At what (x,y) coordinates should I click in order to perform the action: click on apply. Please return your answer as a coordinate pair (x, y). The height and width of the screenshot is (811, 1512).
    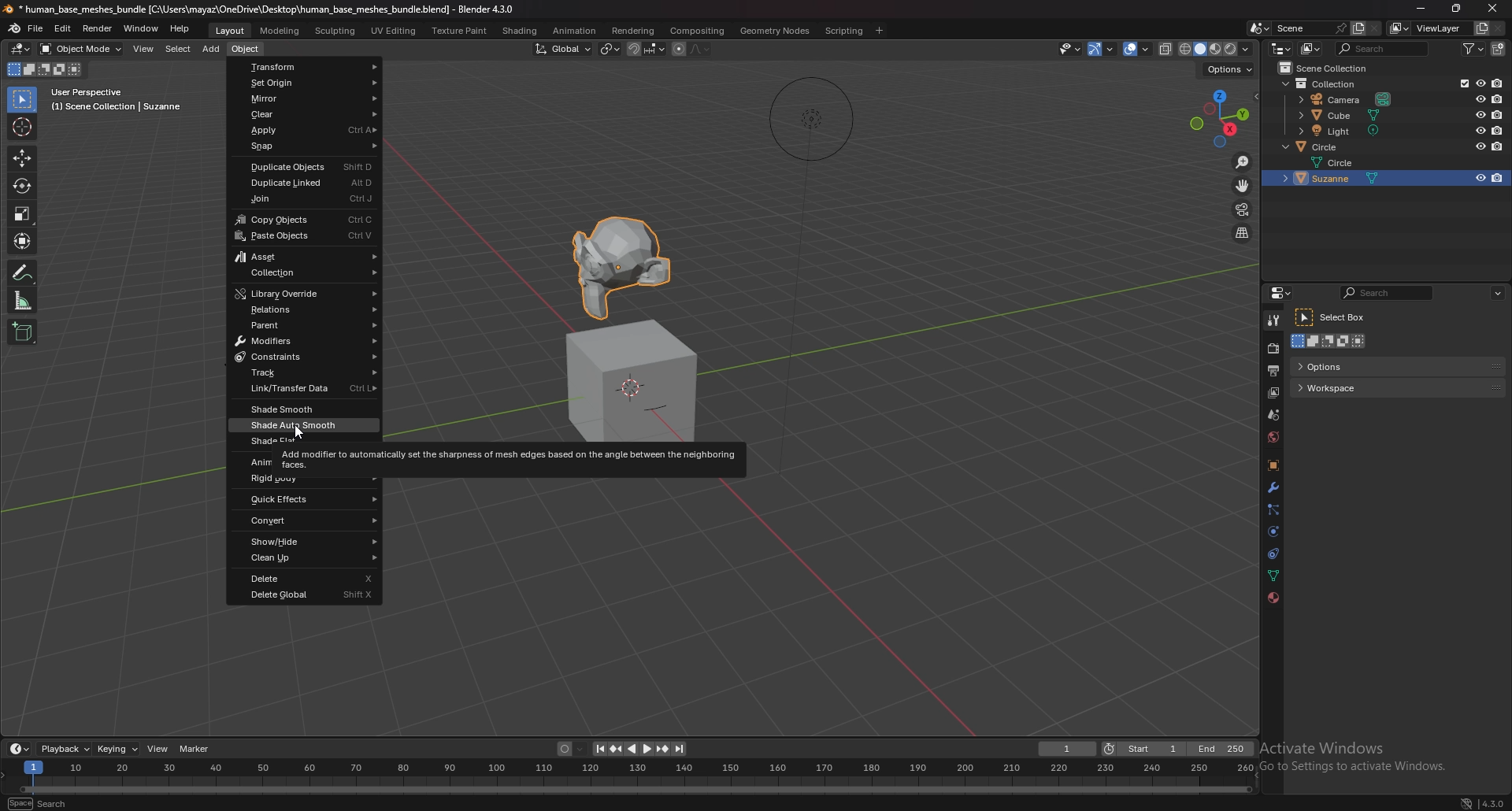
    Looking at the image, I should click on (306, 130).